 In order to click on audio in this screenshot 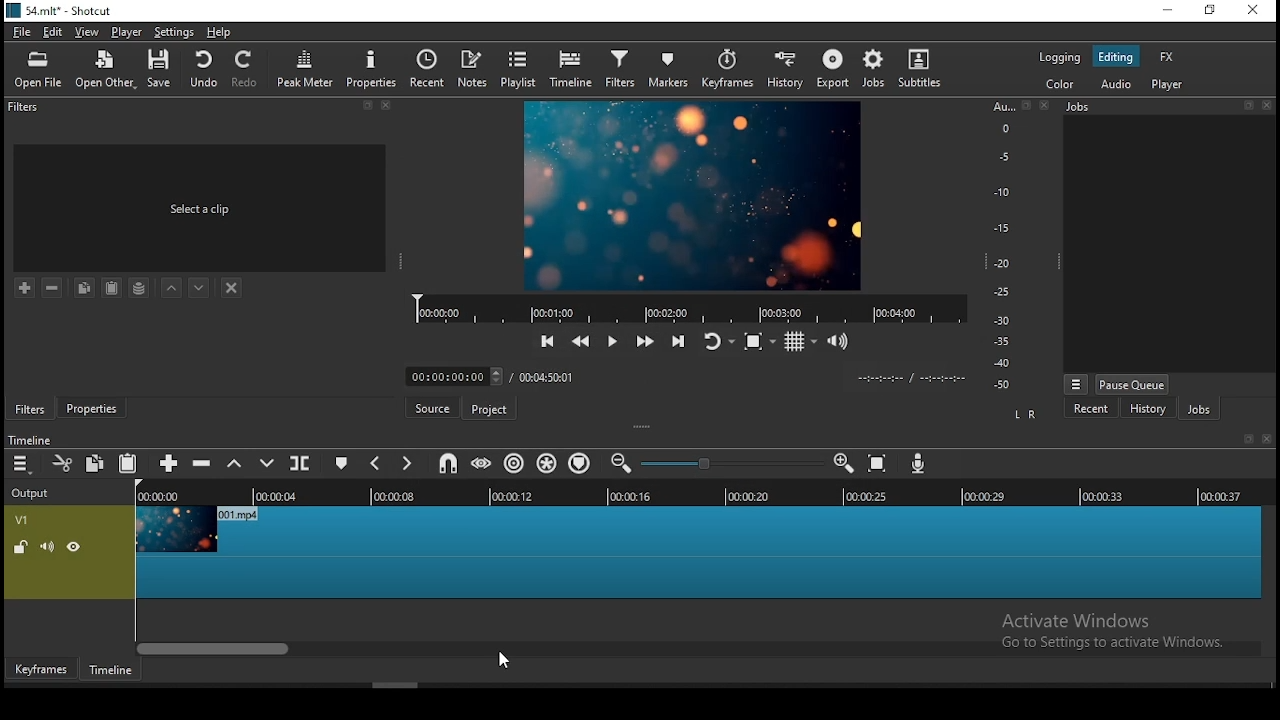, I will do `click(1115, 83)`.